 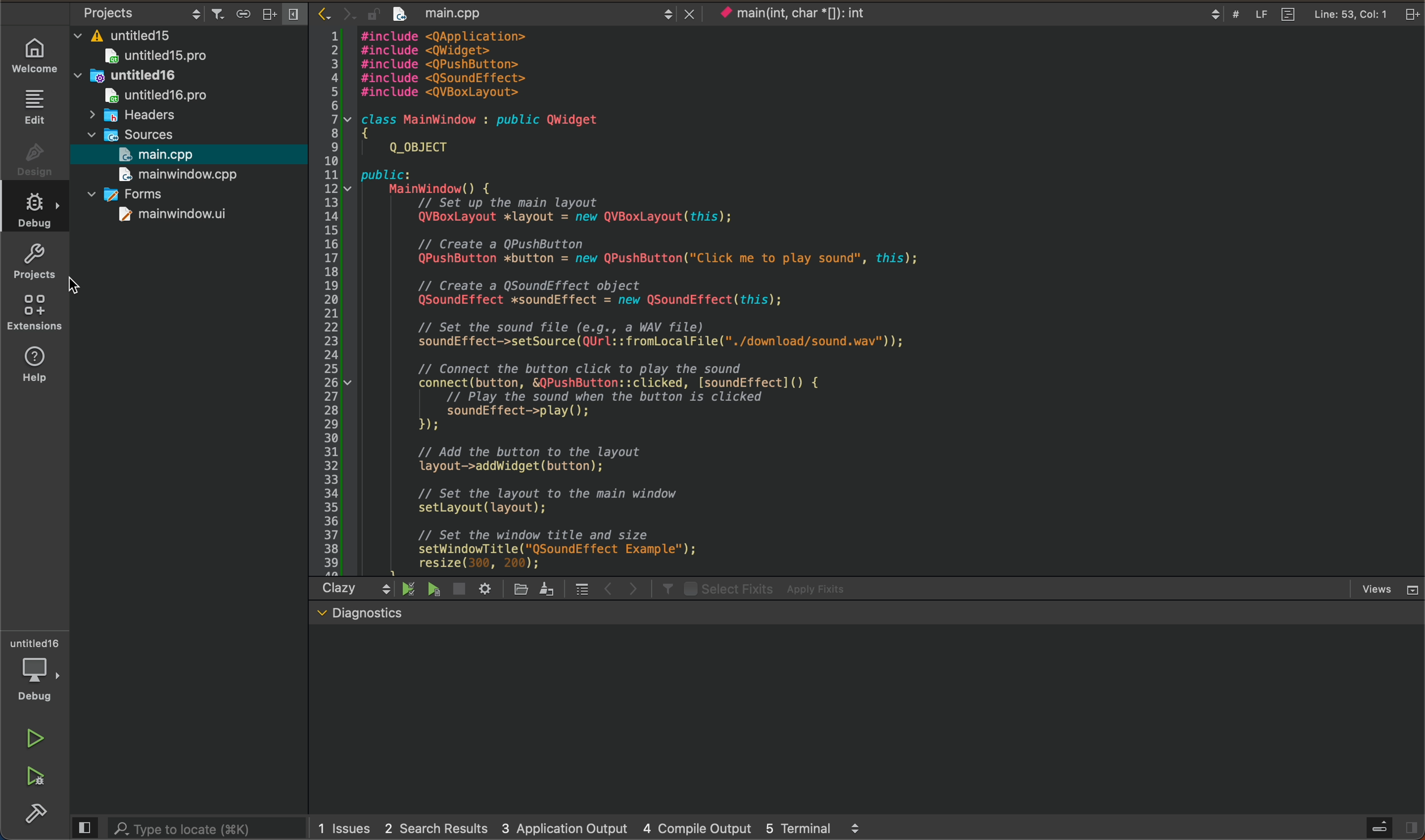 I want to click on , so click(x=135, y=132).